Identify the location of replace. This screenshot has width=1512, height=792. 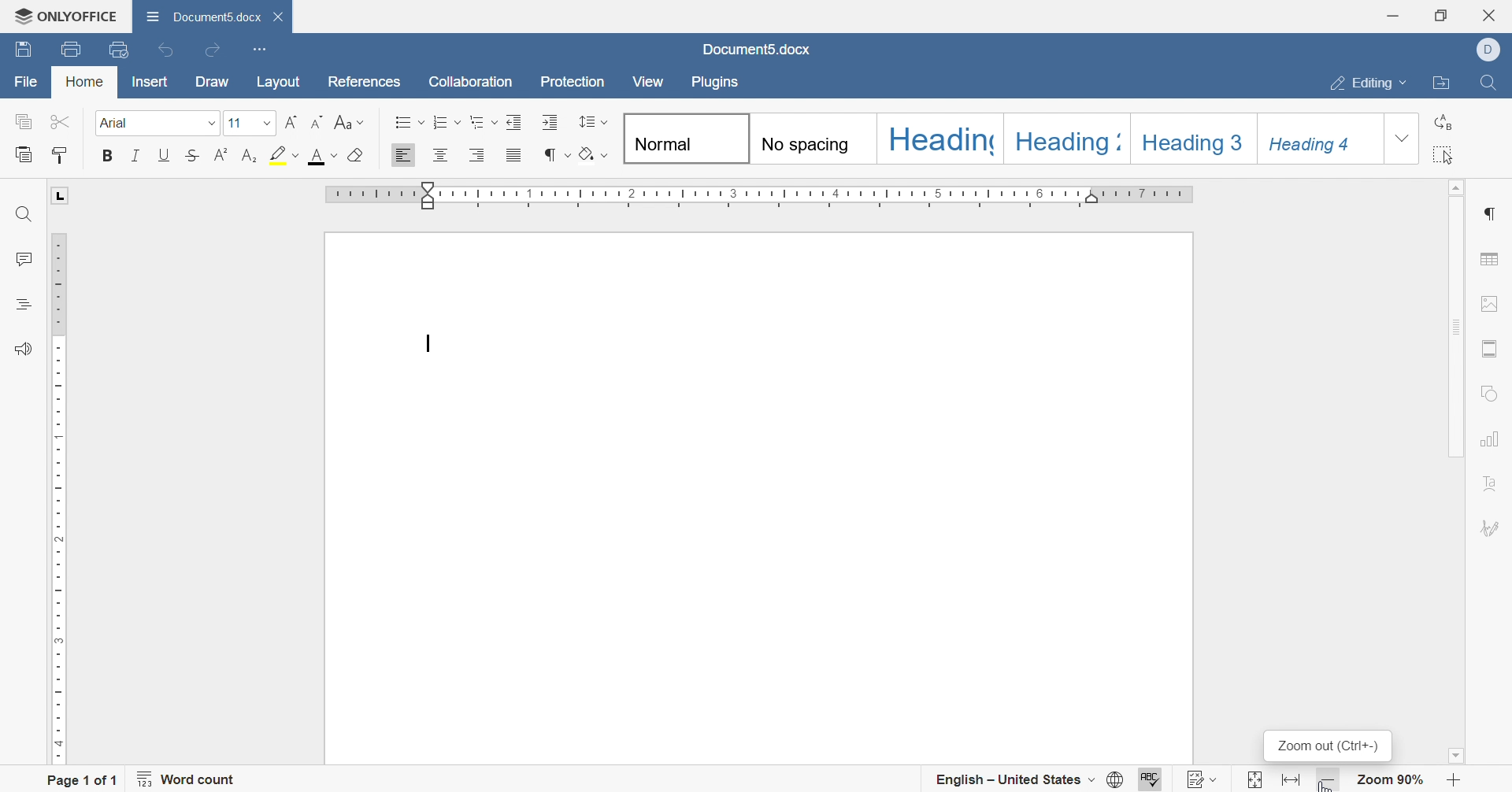
(1449, 120).